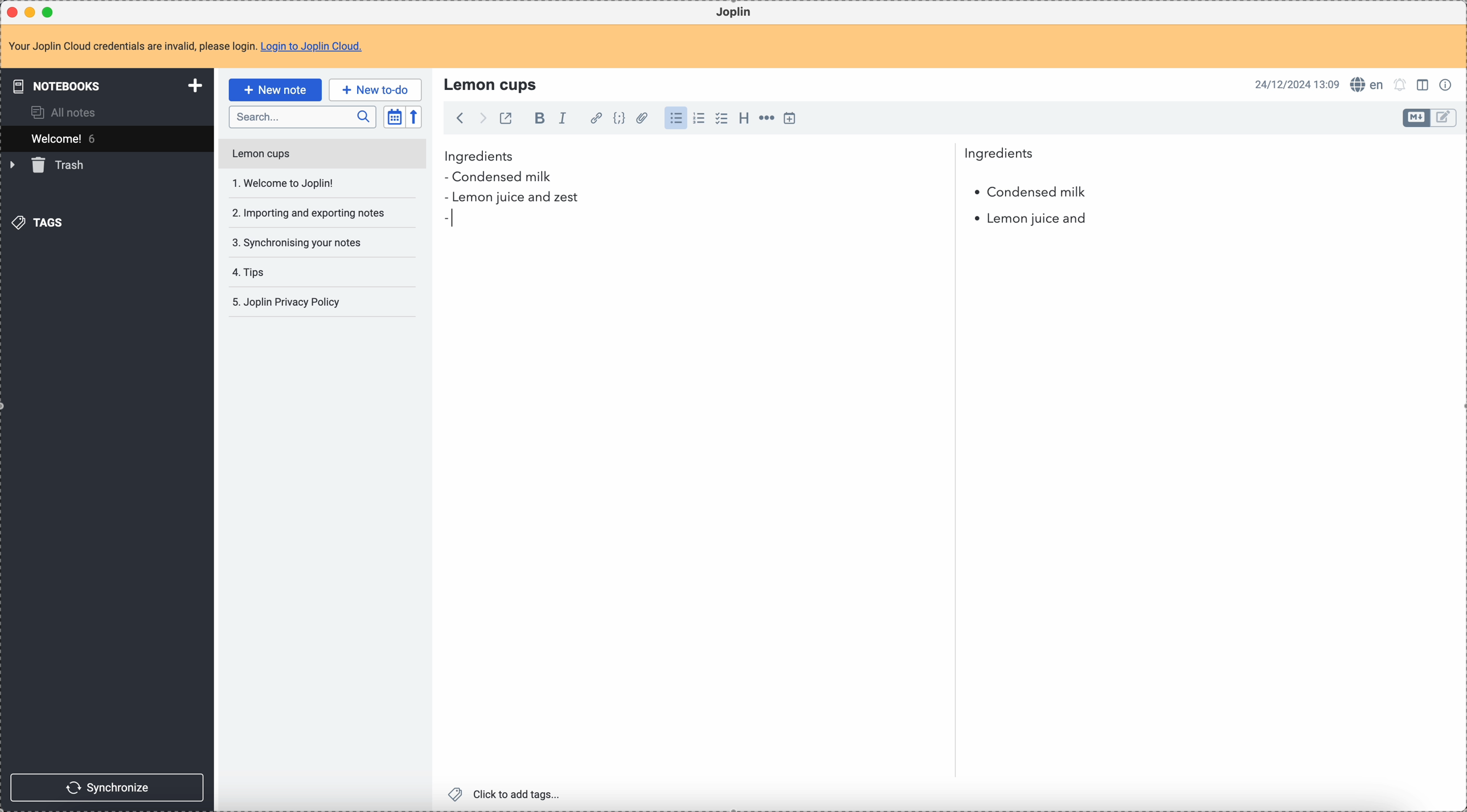 The height and width of the screenshot is (812, 1467). What do you see at coordinates (674, 118) in the screenshot?
I see `bulleted list` at bounding box center [674, 118].